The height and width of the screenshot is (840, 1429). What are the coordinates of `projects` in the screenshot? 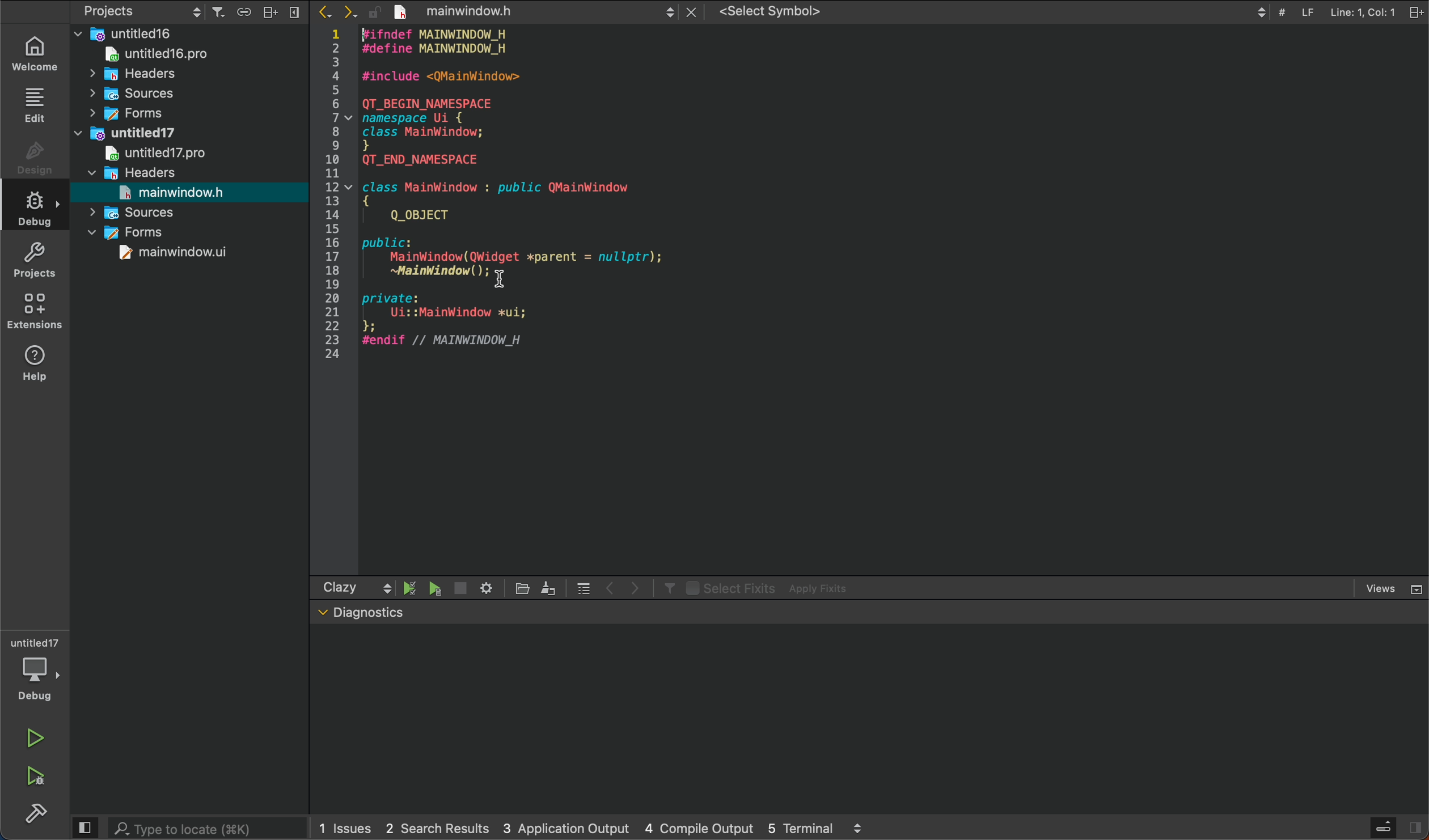 It's located at (40, 260).